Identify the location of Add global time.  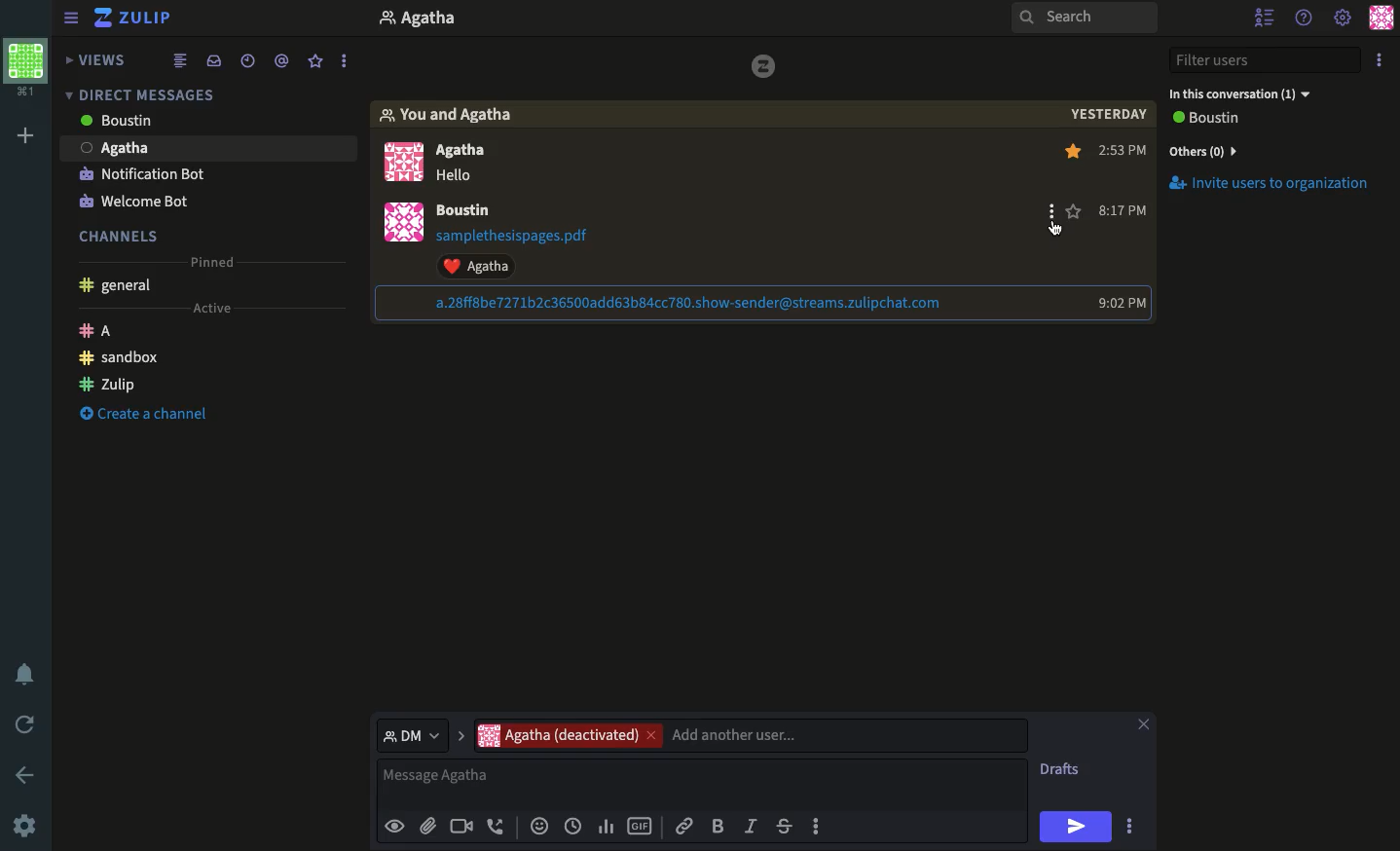
(576, 826).